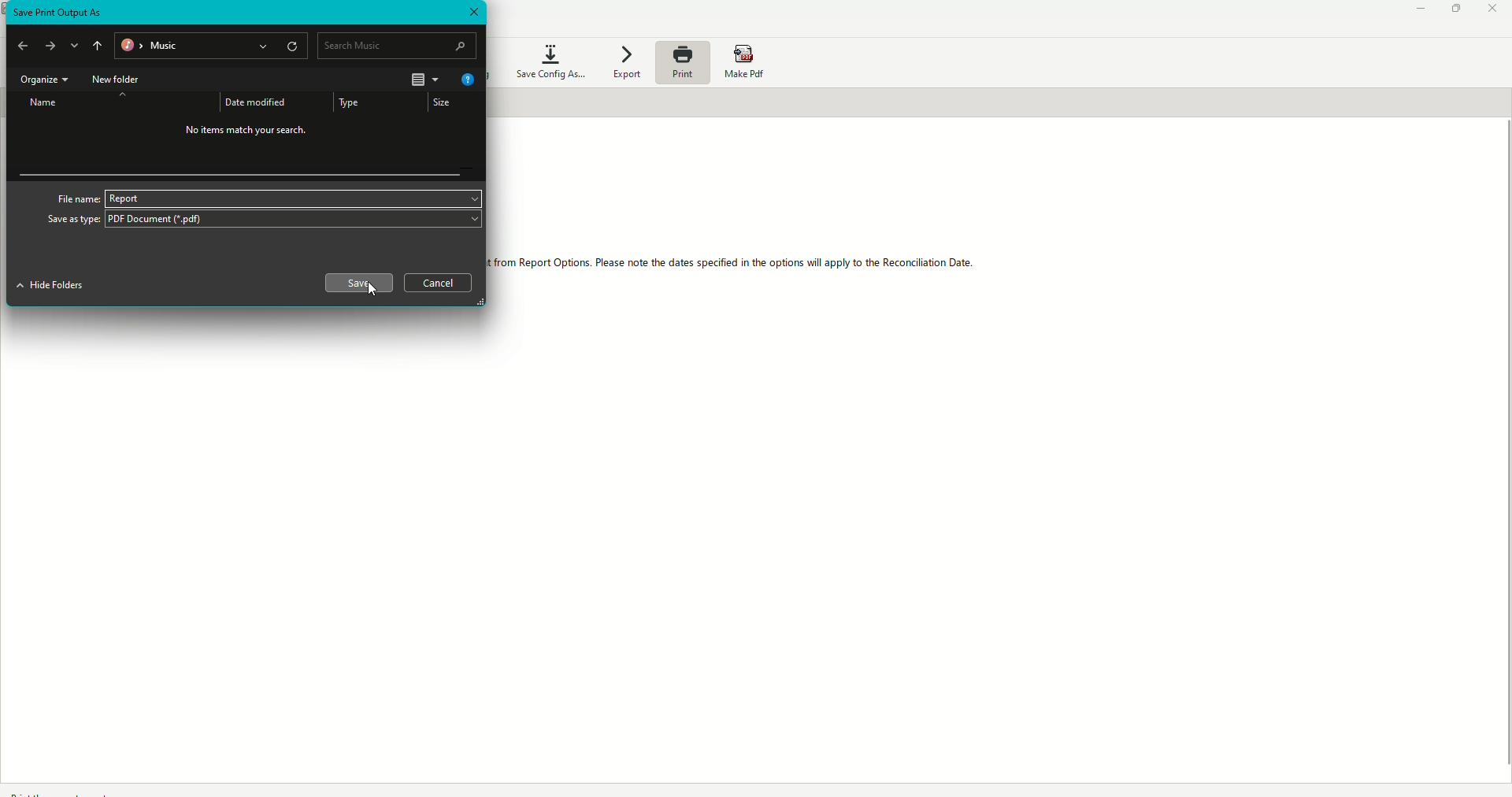 Image resolution: width=1512 pixels, height=797 pixels. Describe the element at coordinates (747, 60) in the screenshot. I see `Make PDF` at that location.